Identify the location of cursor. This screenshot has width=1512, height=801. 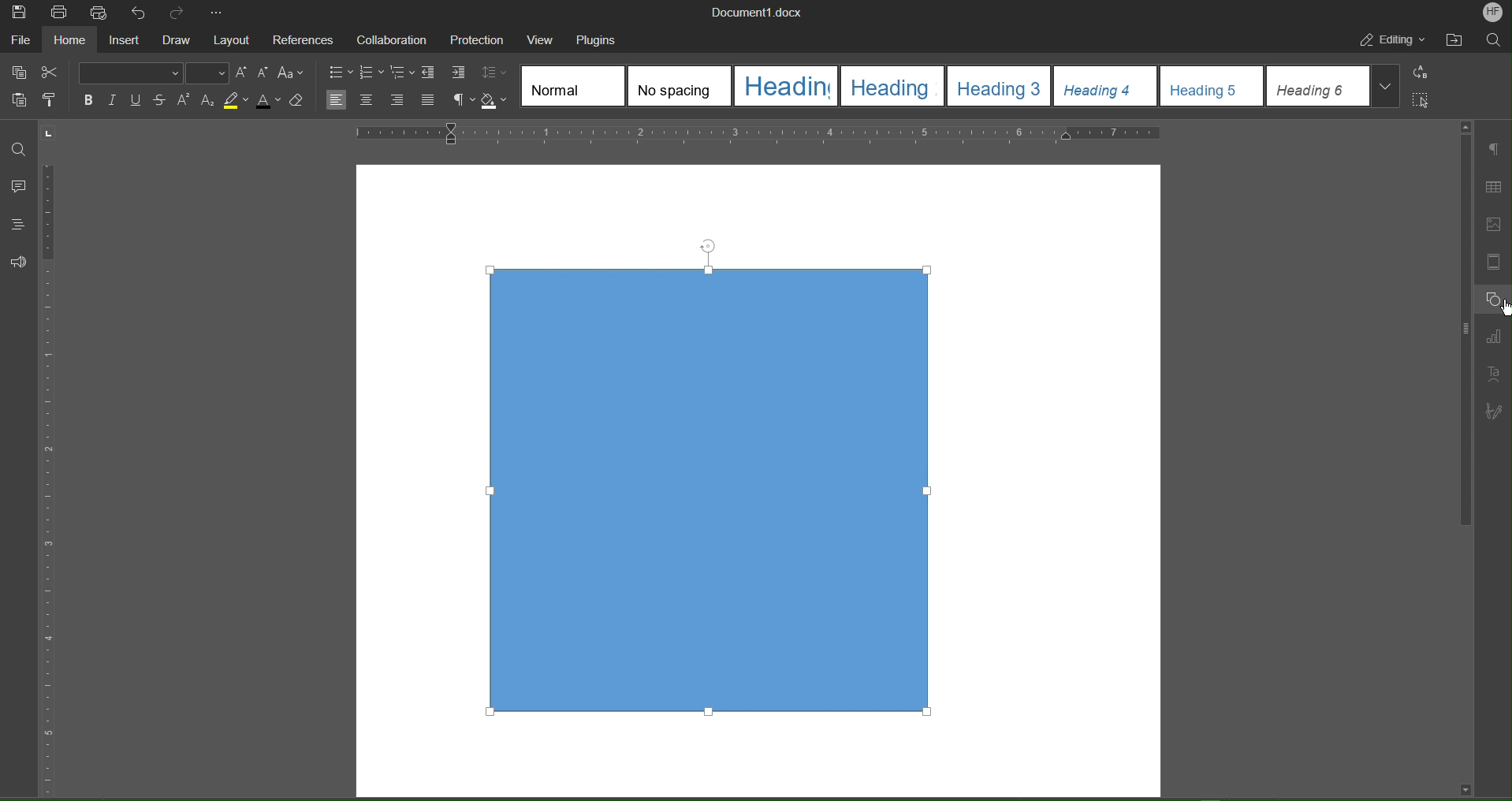
(1503, 311).